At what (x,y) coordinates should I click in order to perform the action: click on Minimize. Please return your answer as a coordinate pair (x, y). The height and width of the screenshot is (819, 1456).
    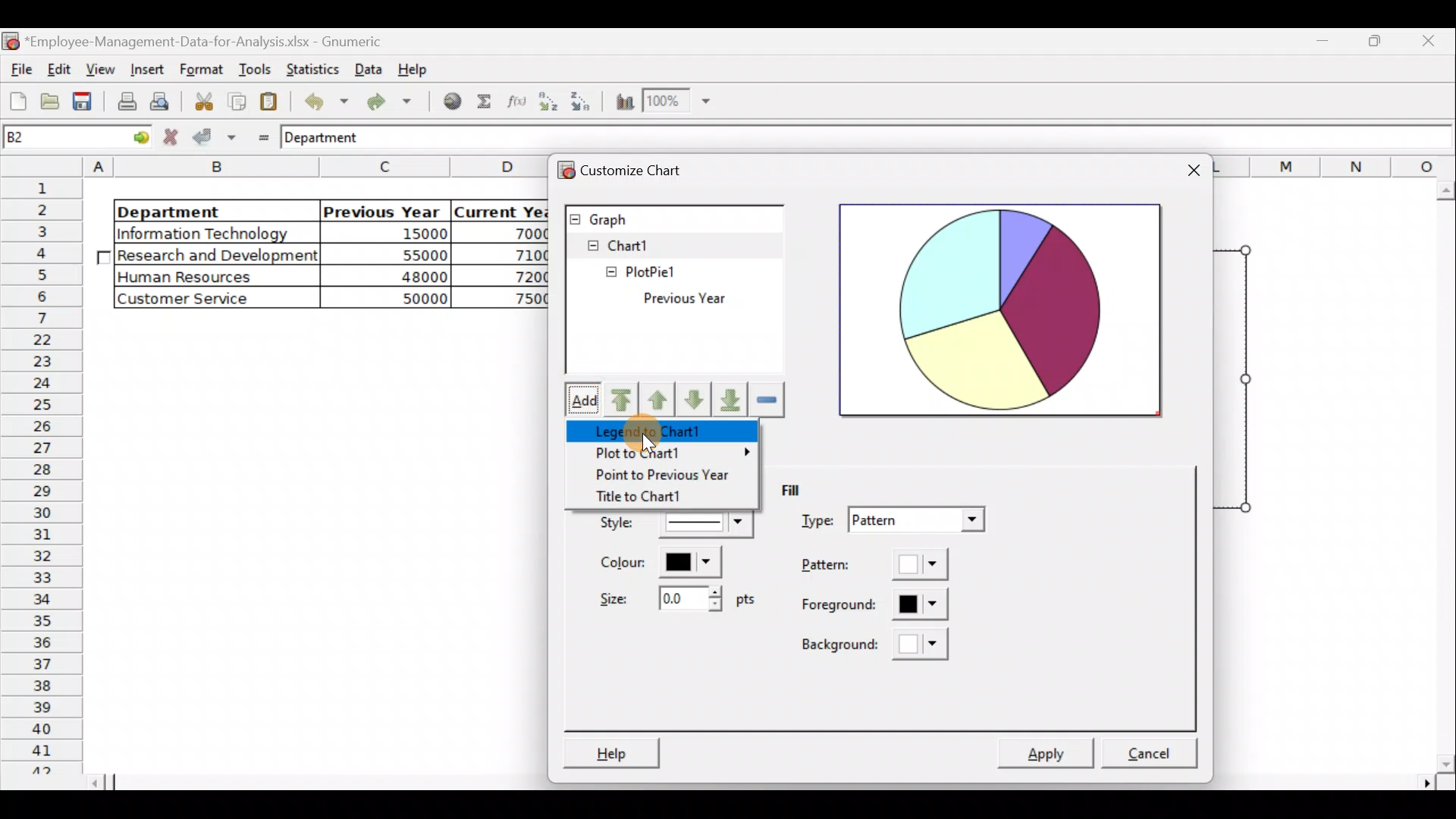
    Looking at the image, I should click on (1376, 46).